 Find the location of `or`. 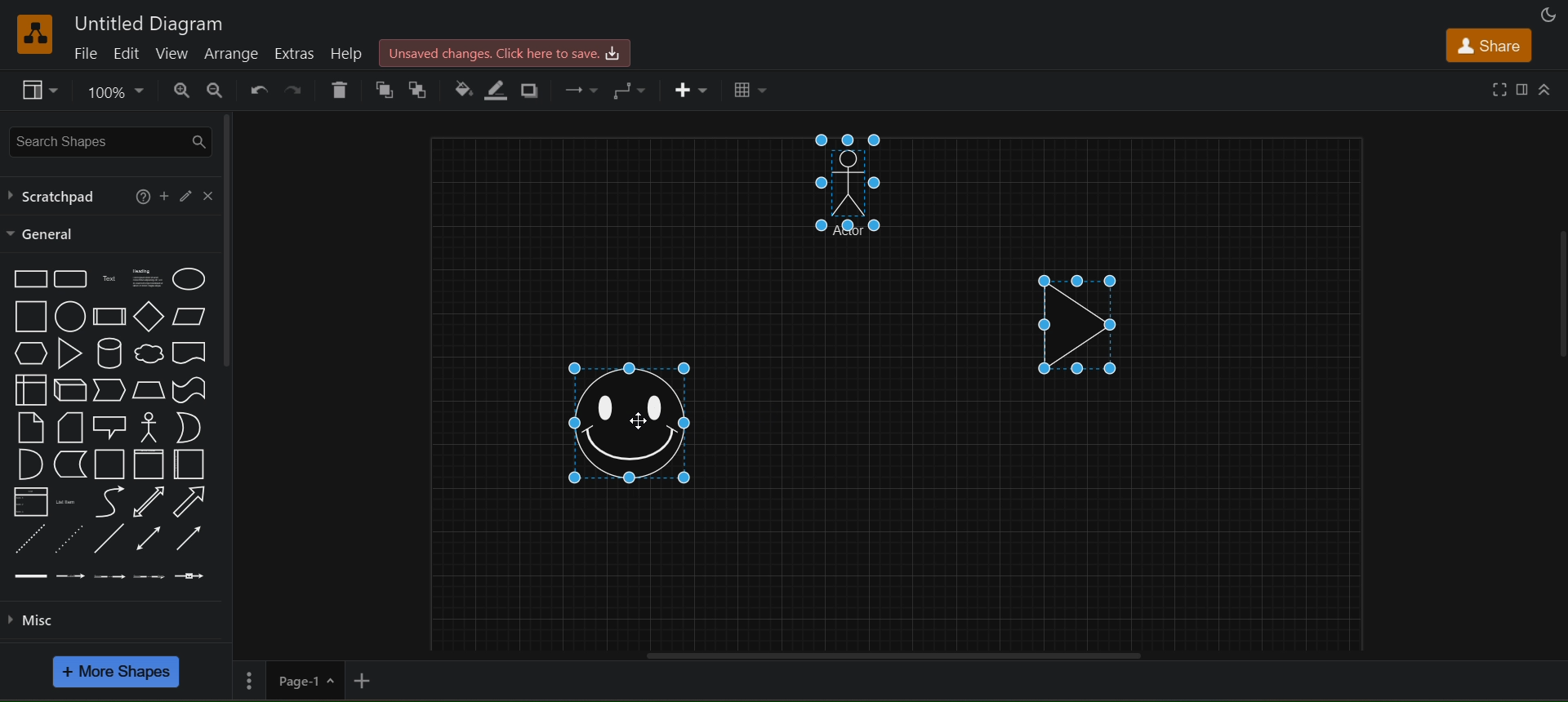

or is located at coordinates (185, 427).